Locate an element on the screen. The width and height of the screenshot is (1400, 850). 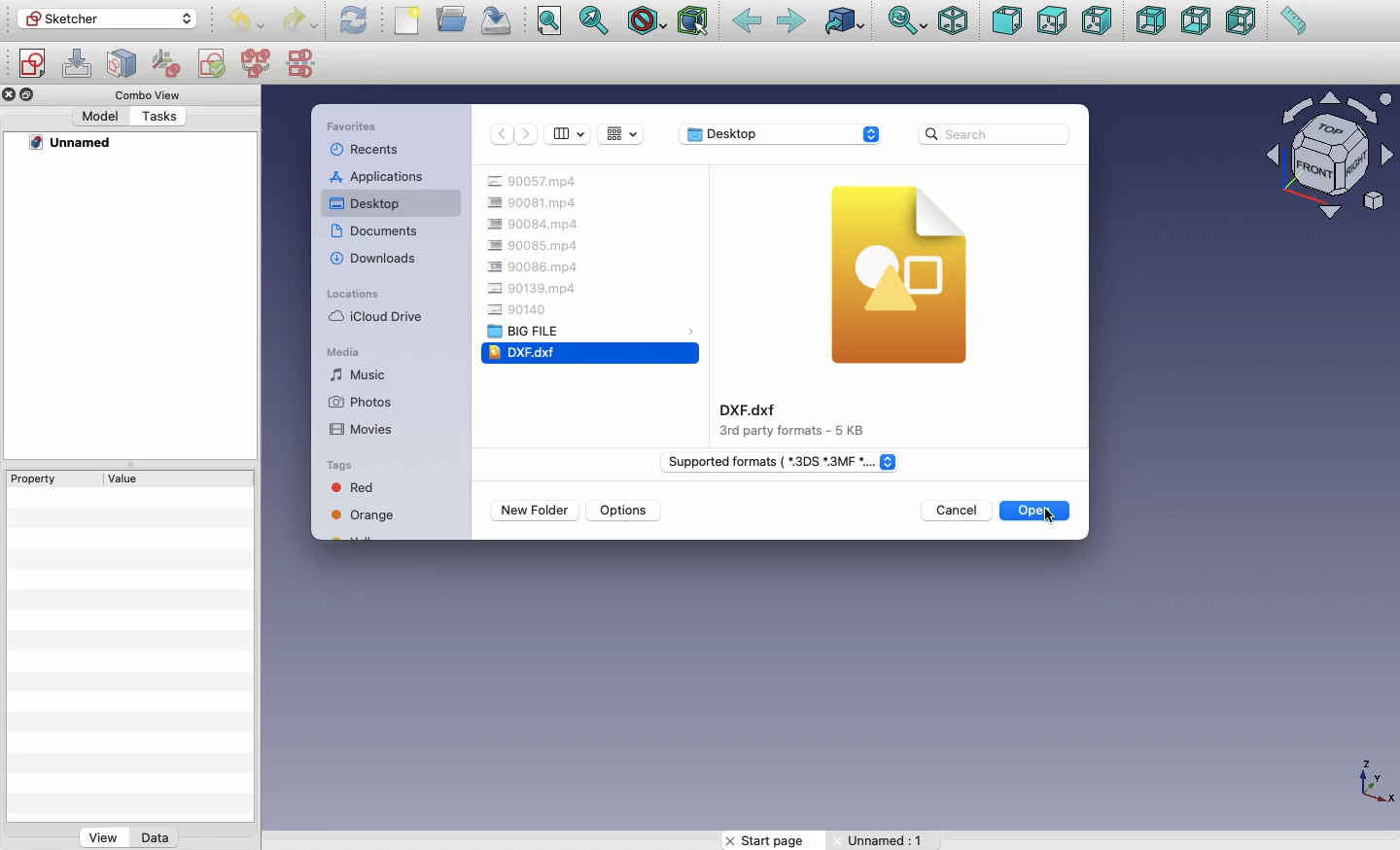
View is located at coordinates (571, 133).